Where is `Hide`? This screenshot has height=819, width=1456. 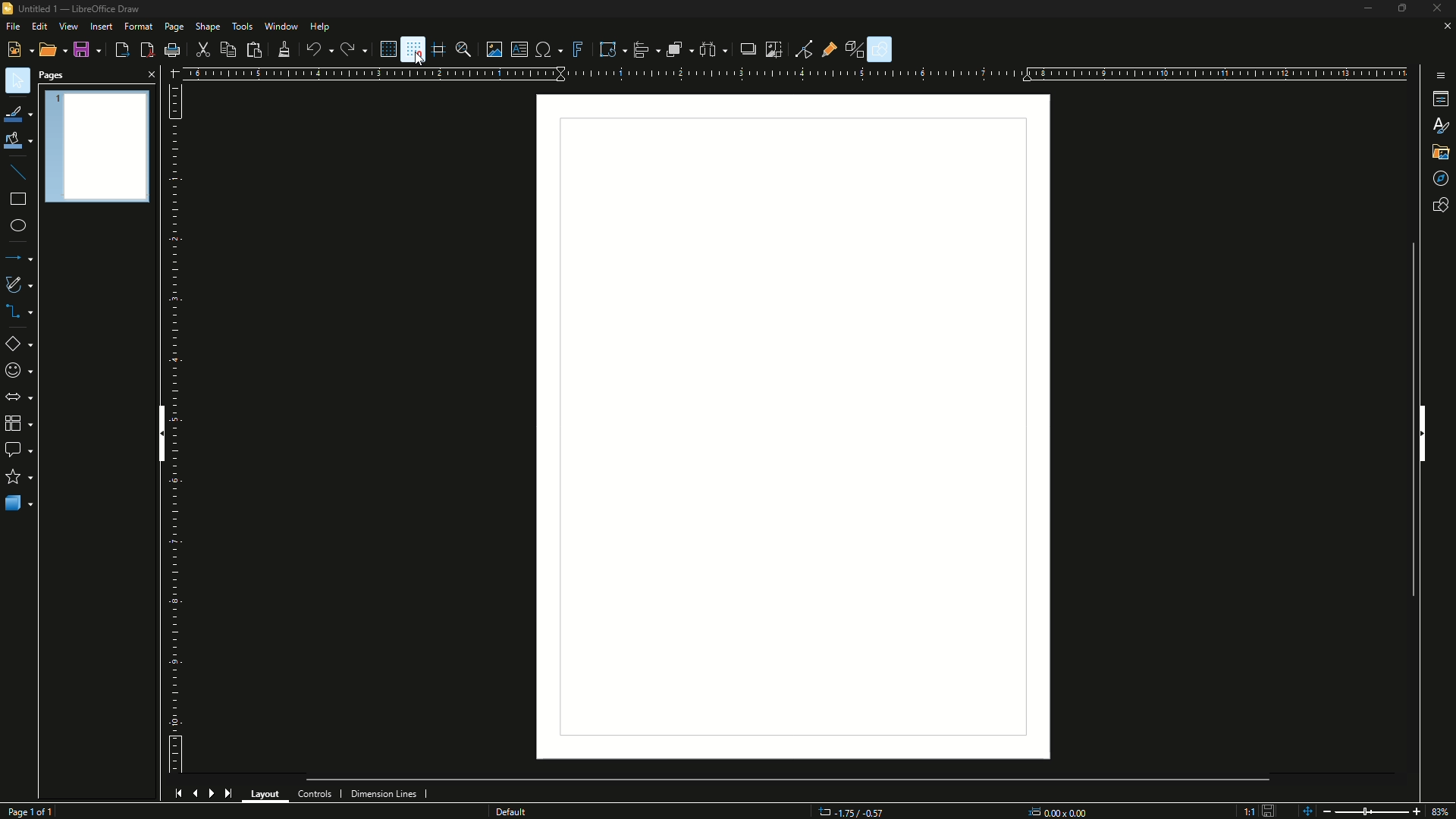
Hide is located at coordinates (159, 431).